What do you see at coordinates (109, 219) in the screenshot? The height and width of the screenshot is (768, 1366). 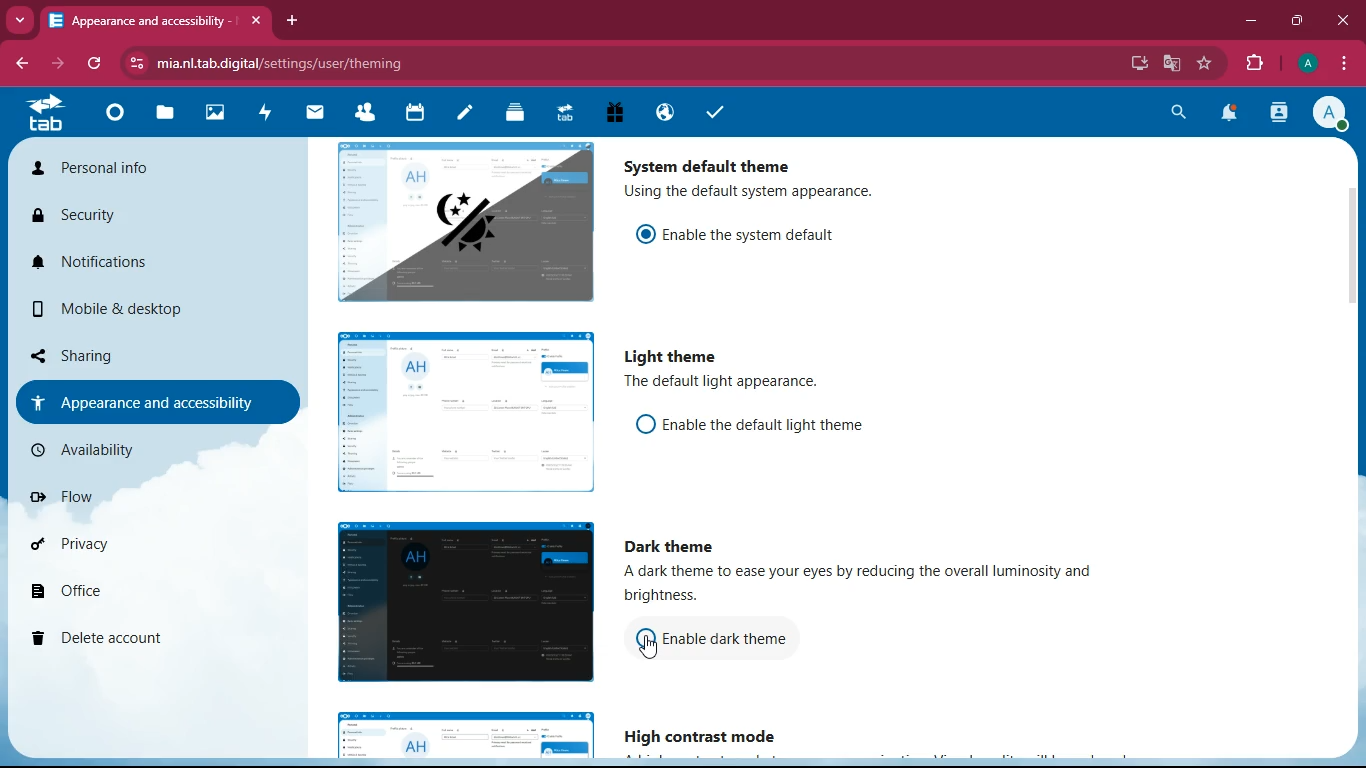 I see `security` at bounding box center [109, 219].